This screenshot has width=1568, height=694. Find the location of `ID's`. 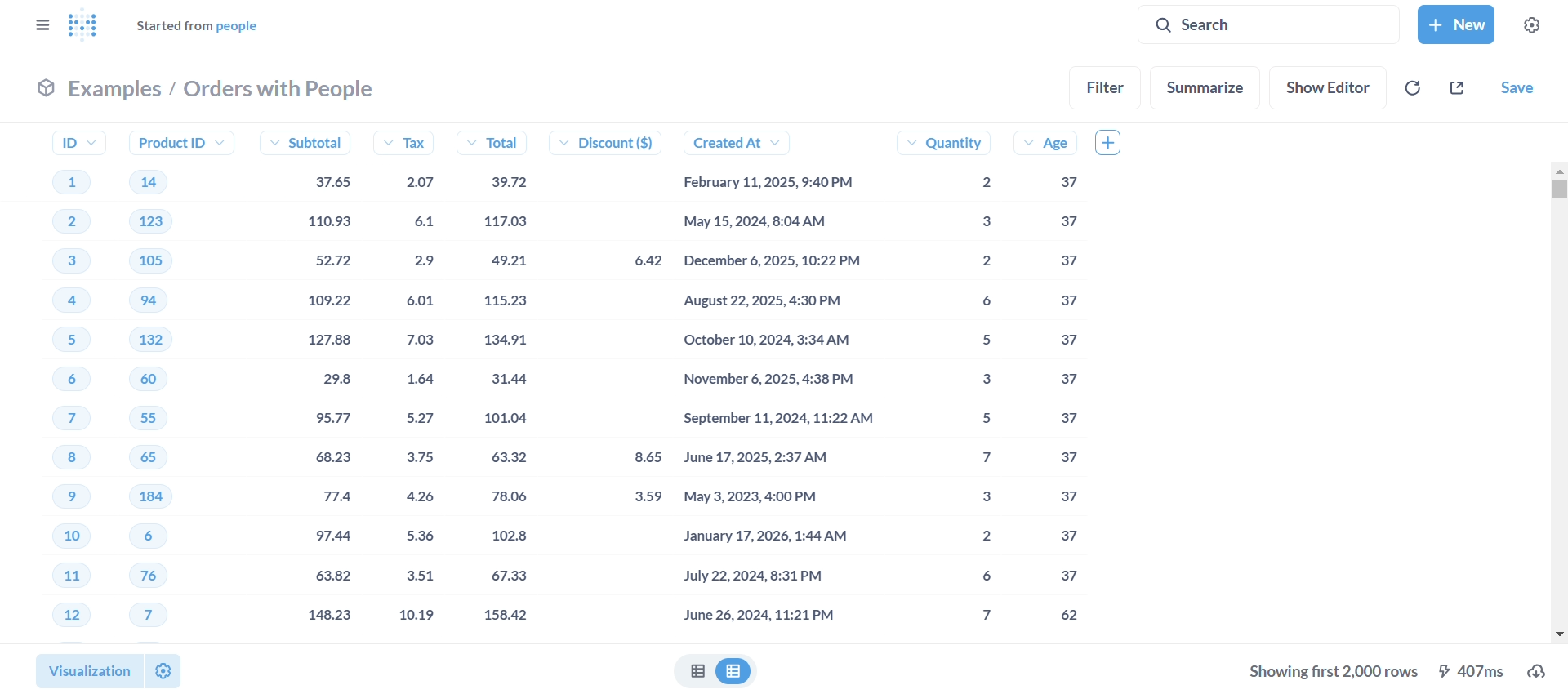

ID's is located at coordinates (73, 388).